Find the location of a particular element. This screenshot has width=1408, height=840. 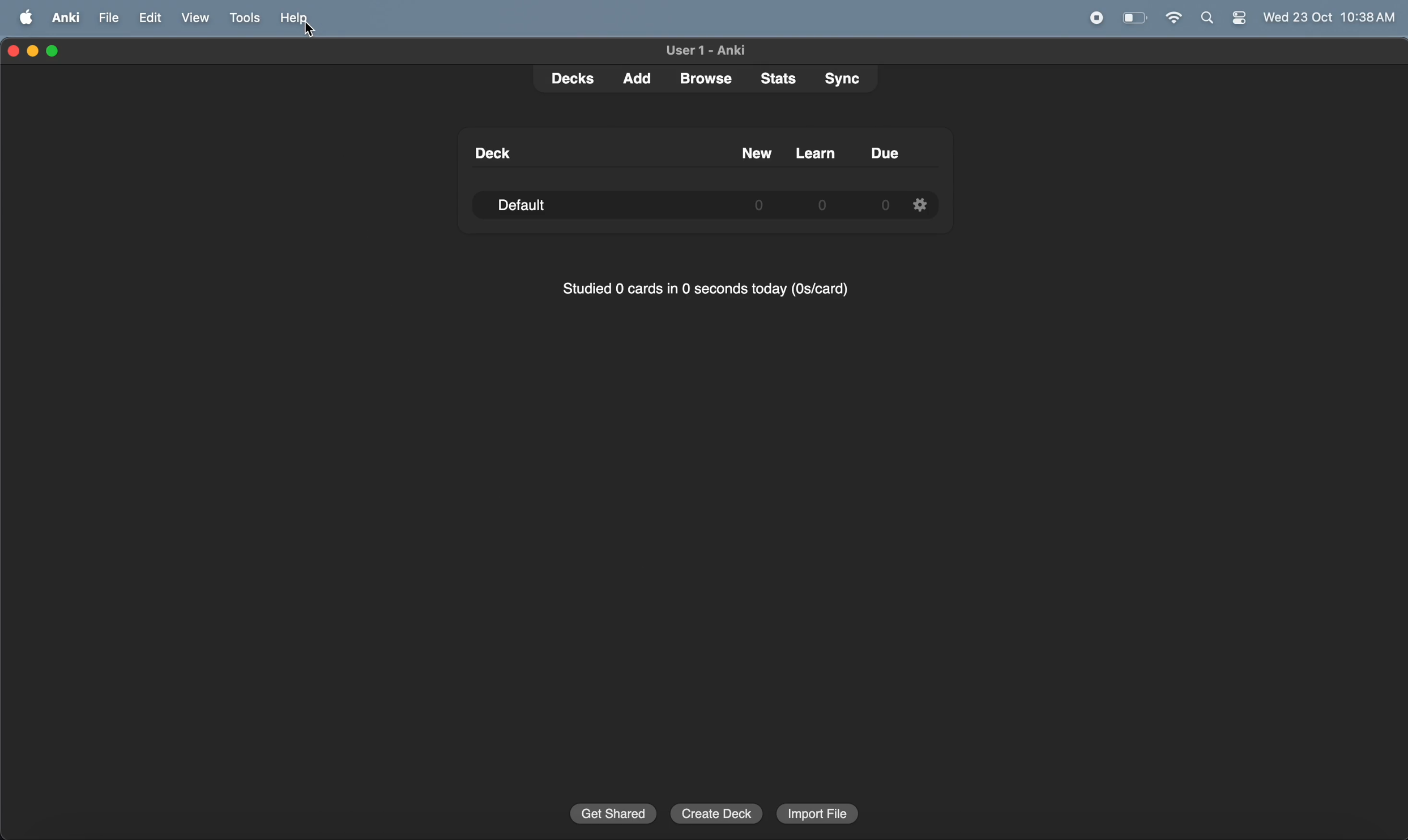

closing window is located at coordinates (14, 52).